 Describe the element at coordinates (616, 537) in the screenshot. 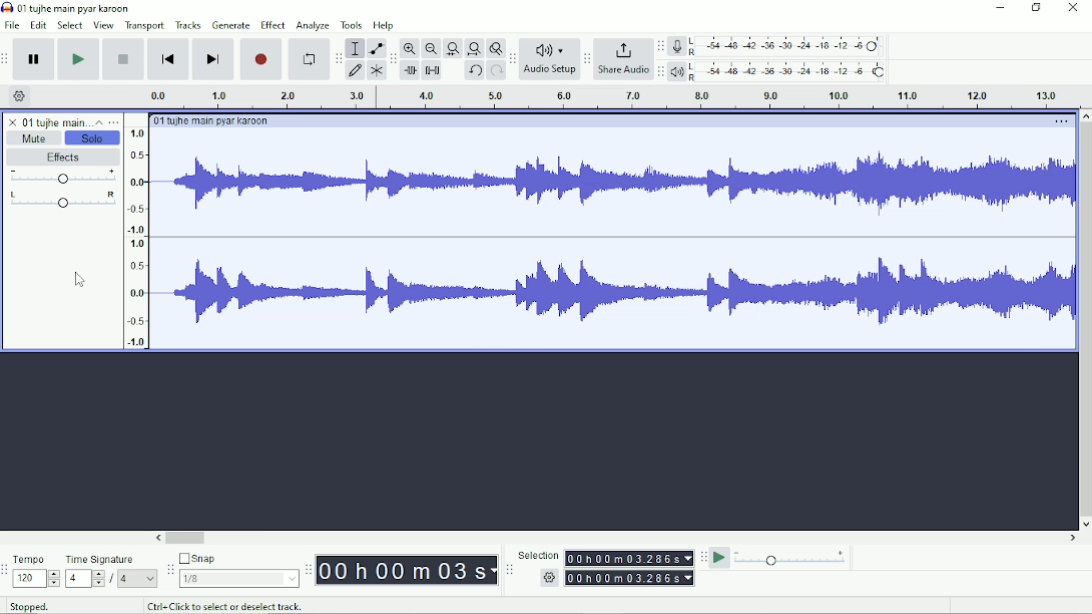

I see `Horizontal scrollbar` at that location.